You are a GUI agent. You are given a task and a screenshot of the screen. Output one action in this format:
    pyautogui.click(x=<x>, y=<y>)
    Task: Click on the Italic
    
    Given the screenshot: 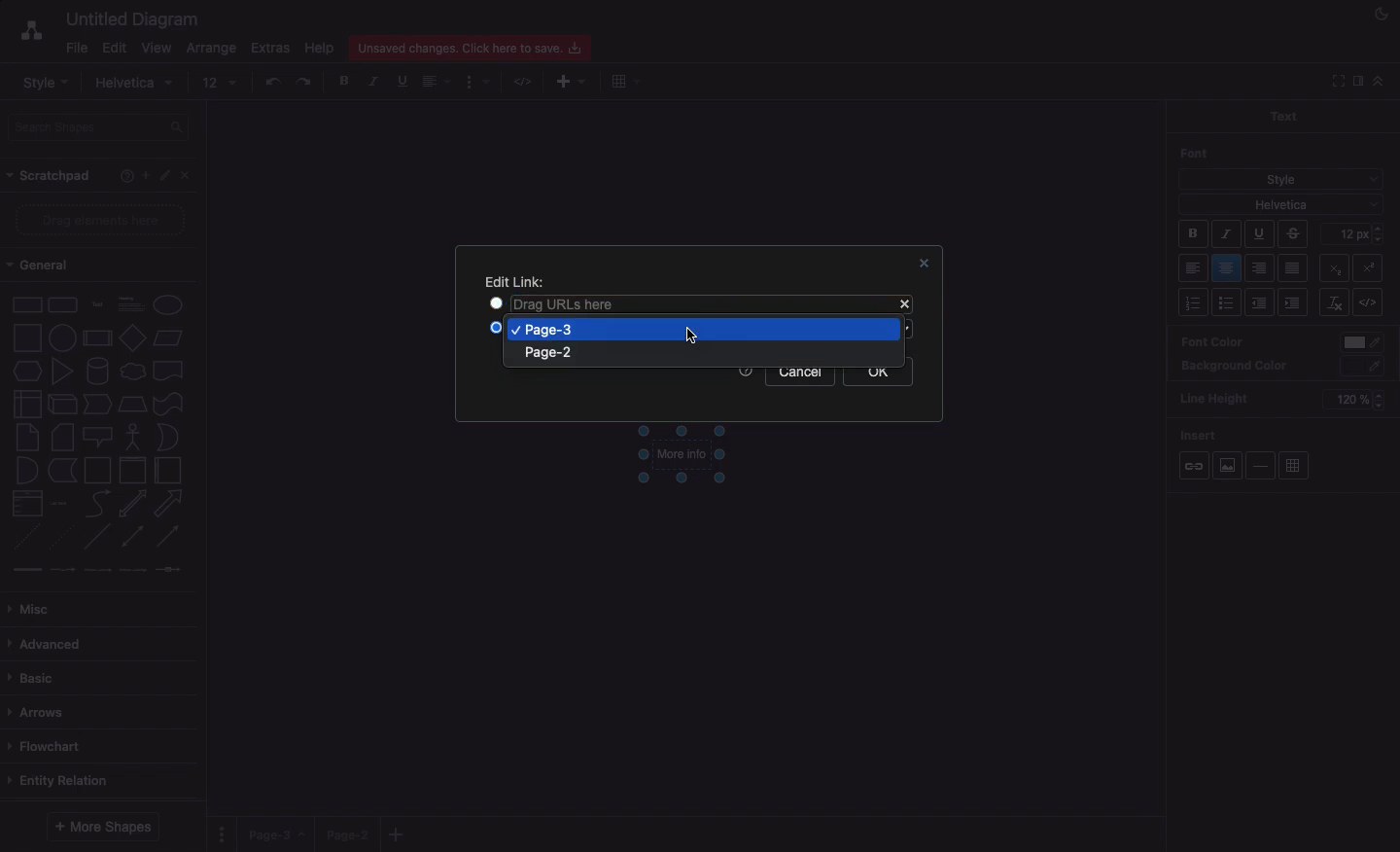 What is the action you would take?
    pyautogui.click(x=1226, y=234)
    